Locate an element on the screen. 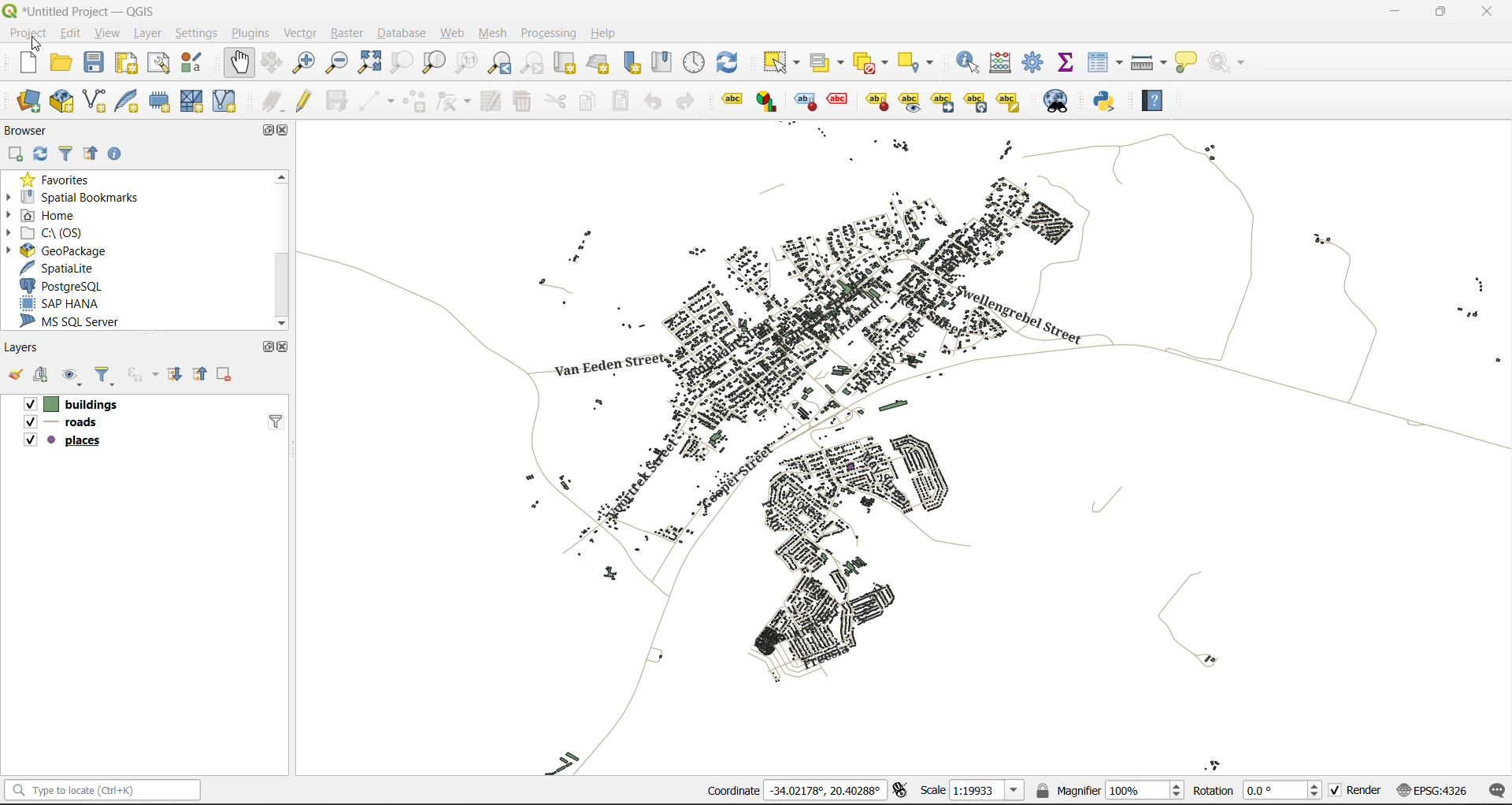 Image resolution: width=1512 pixels, height=805 pixels. pan selection is located at coordinates (273, 62).